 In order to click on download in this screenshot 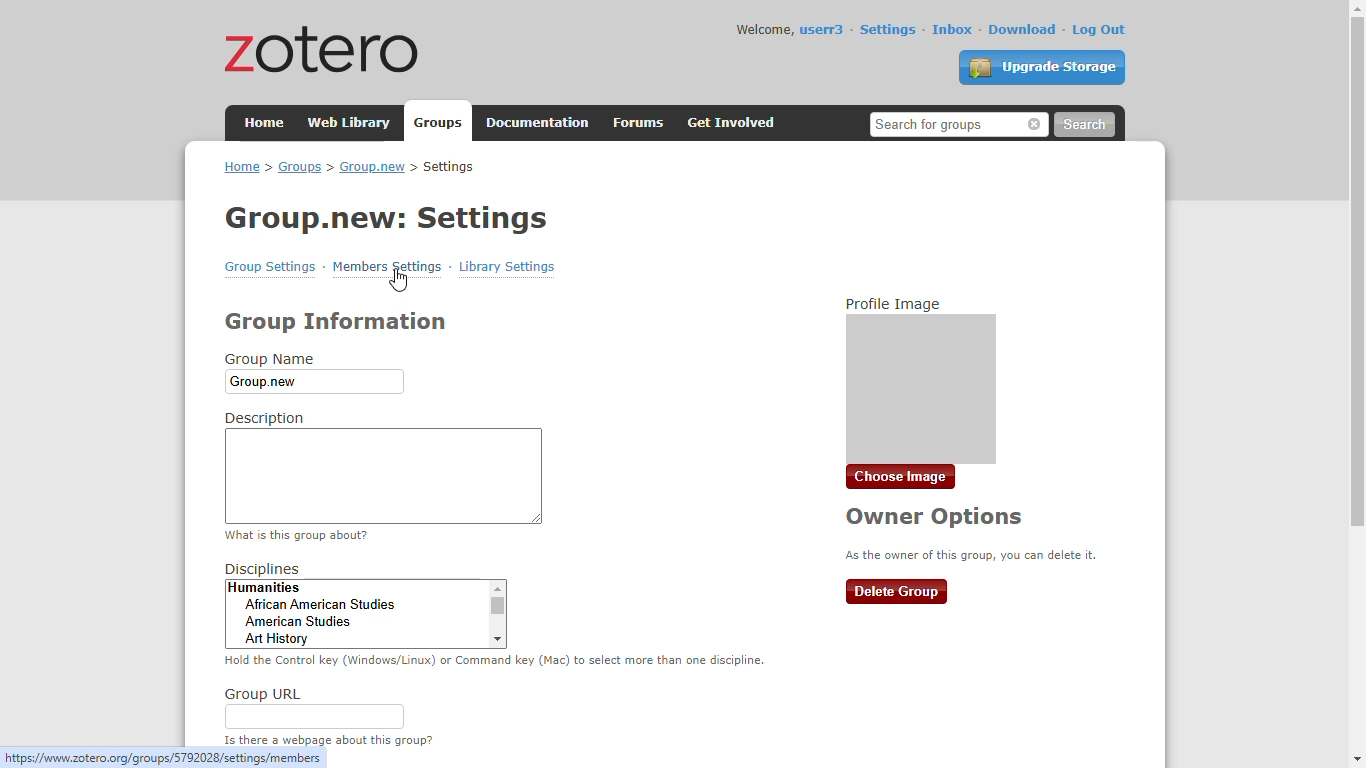, I will do `click(1024, 29)`.